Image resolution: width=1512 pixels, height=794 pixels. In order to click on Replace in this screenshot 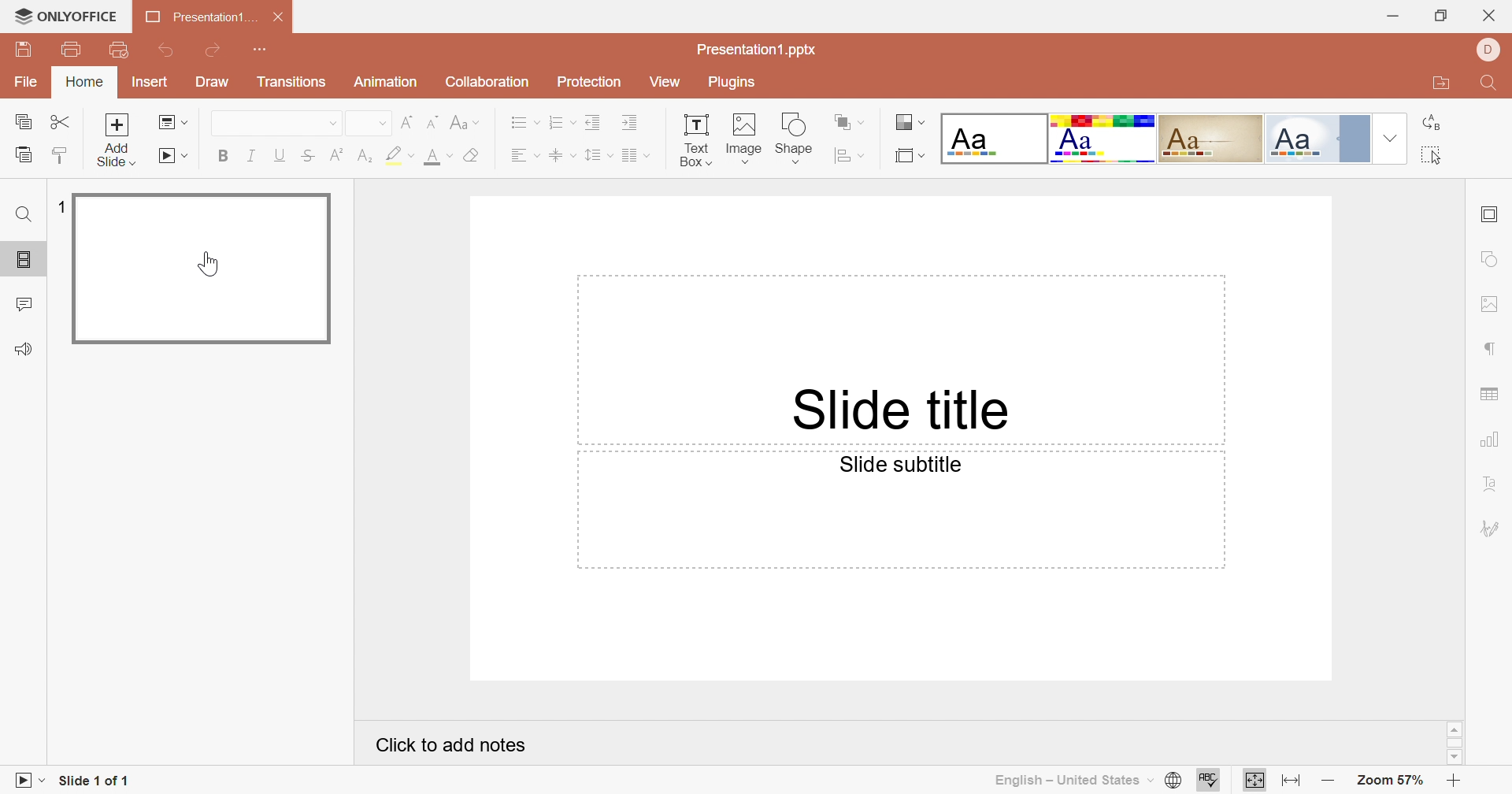, I will do `click(1432, 124)`.